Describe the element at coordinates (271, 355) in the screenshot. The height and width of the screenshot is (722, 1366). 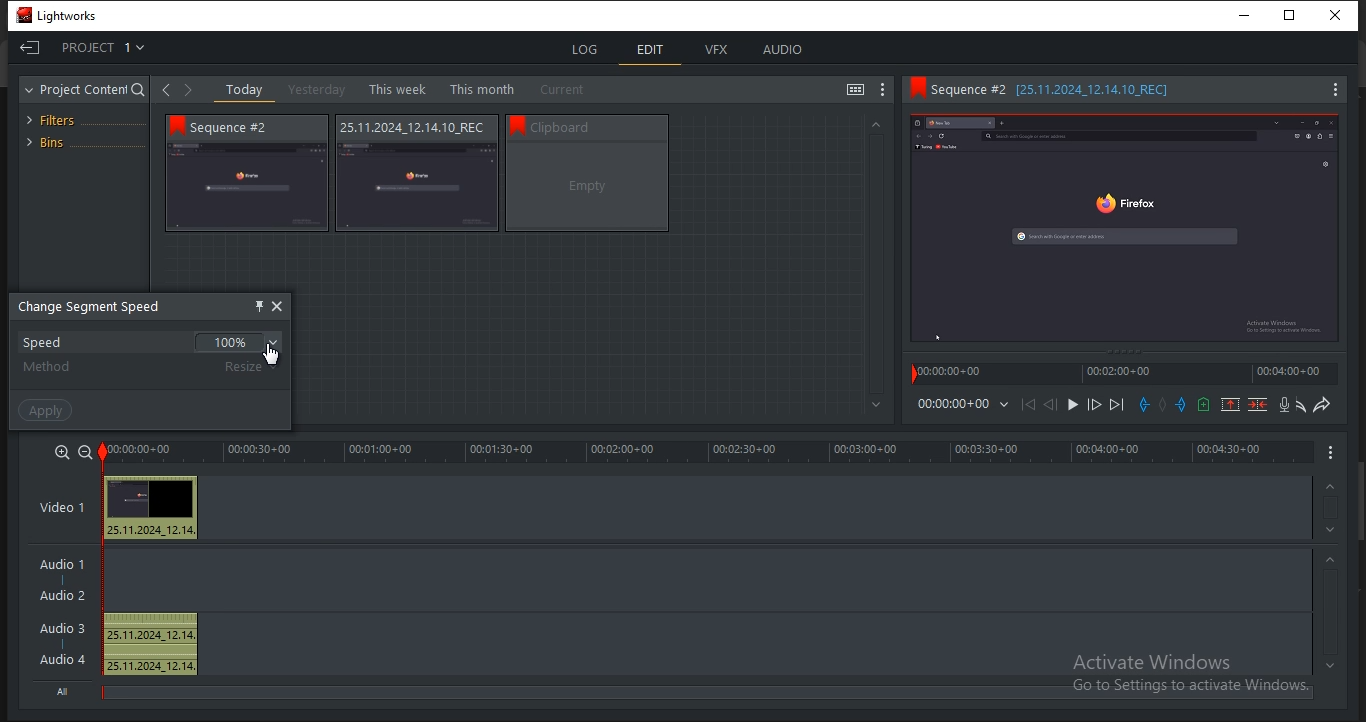
I see `pointer cursor` at that location.